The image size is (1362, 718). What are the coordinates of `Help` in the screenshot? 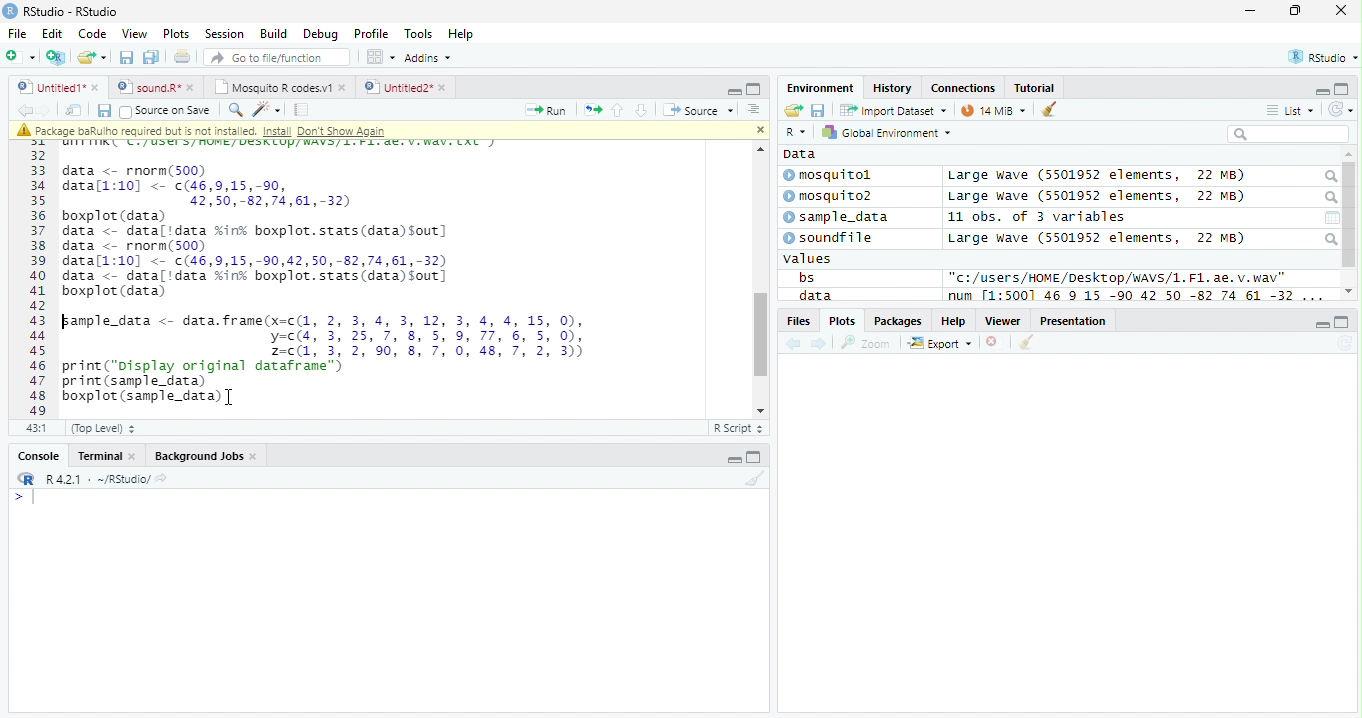 It's located at (463, 34).